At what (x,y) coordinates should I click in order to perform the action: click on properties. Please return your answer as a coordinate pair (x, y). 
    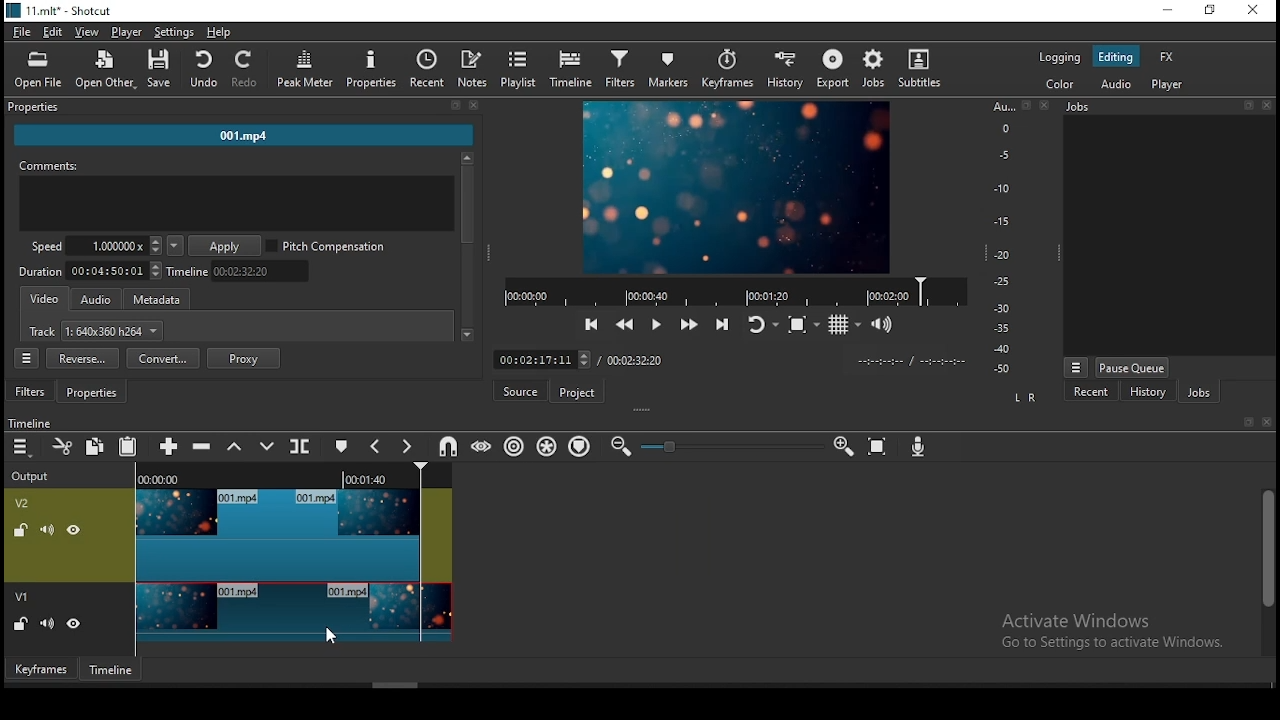
    Looking at the image, I should click on (95, 393).